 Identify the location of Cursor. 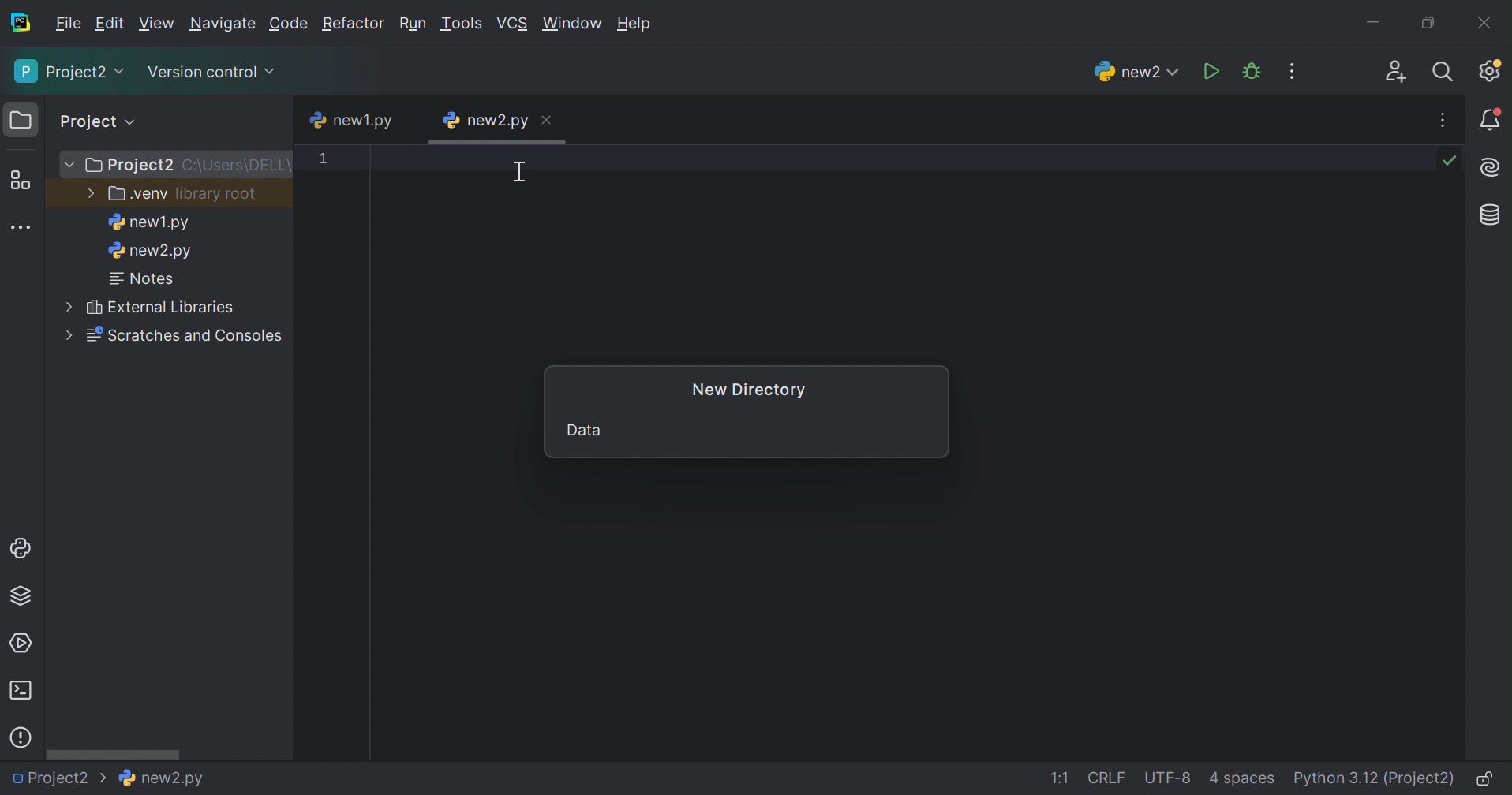
(519, 175).